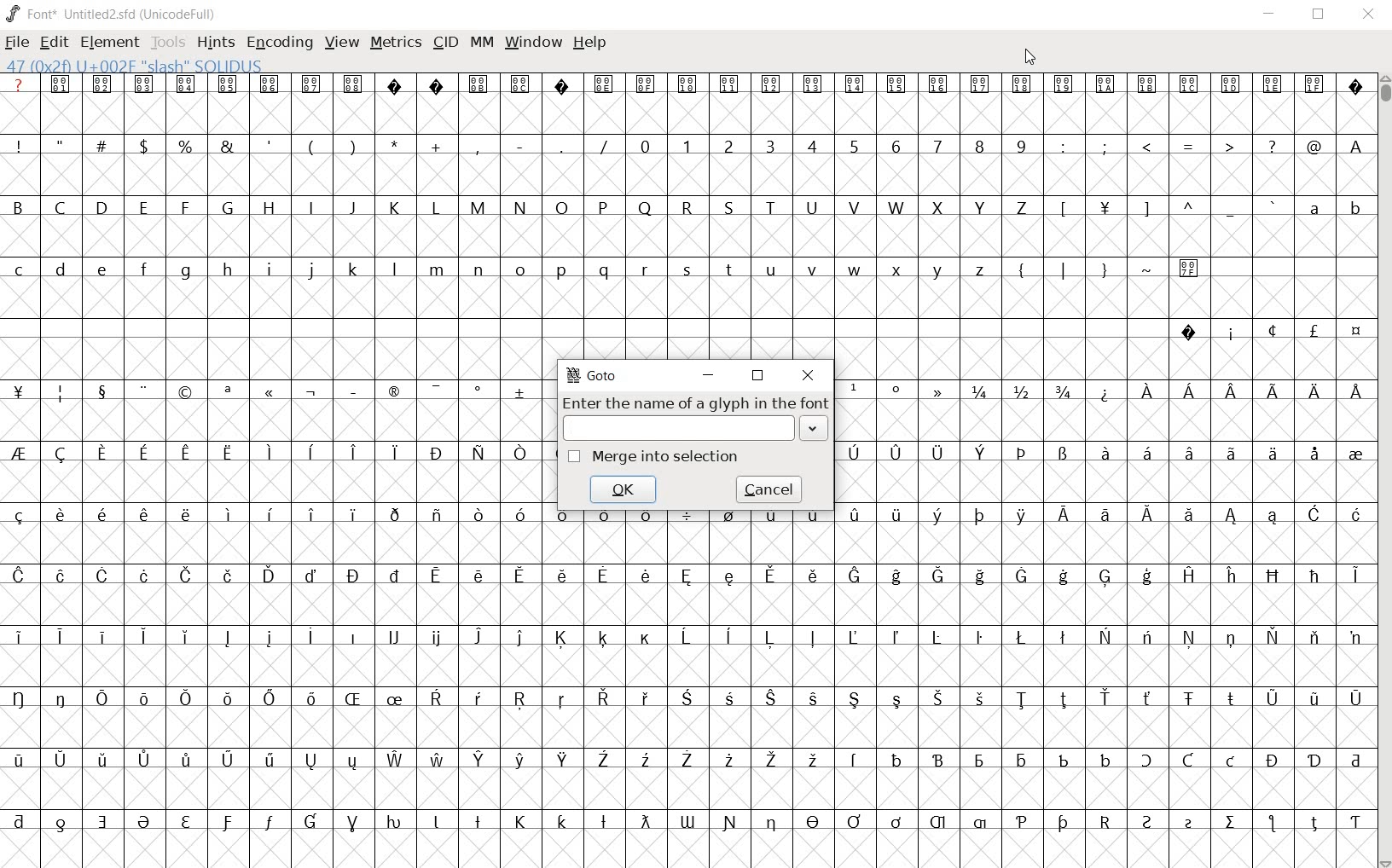 The image size is (1392, 868). Describe the element at coordinates (687, 664) in the screenshot. I see `empty cells` at that location.